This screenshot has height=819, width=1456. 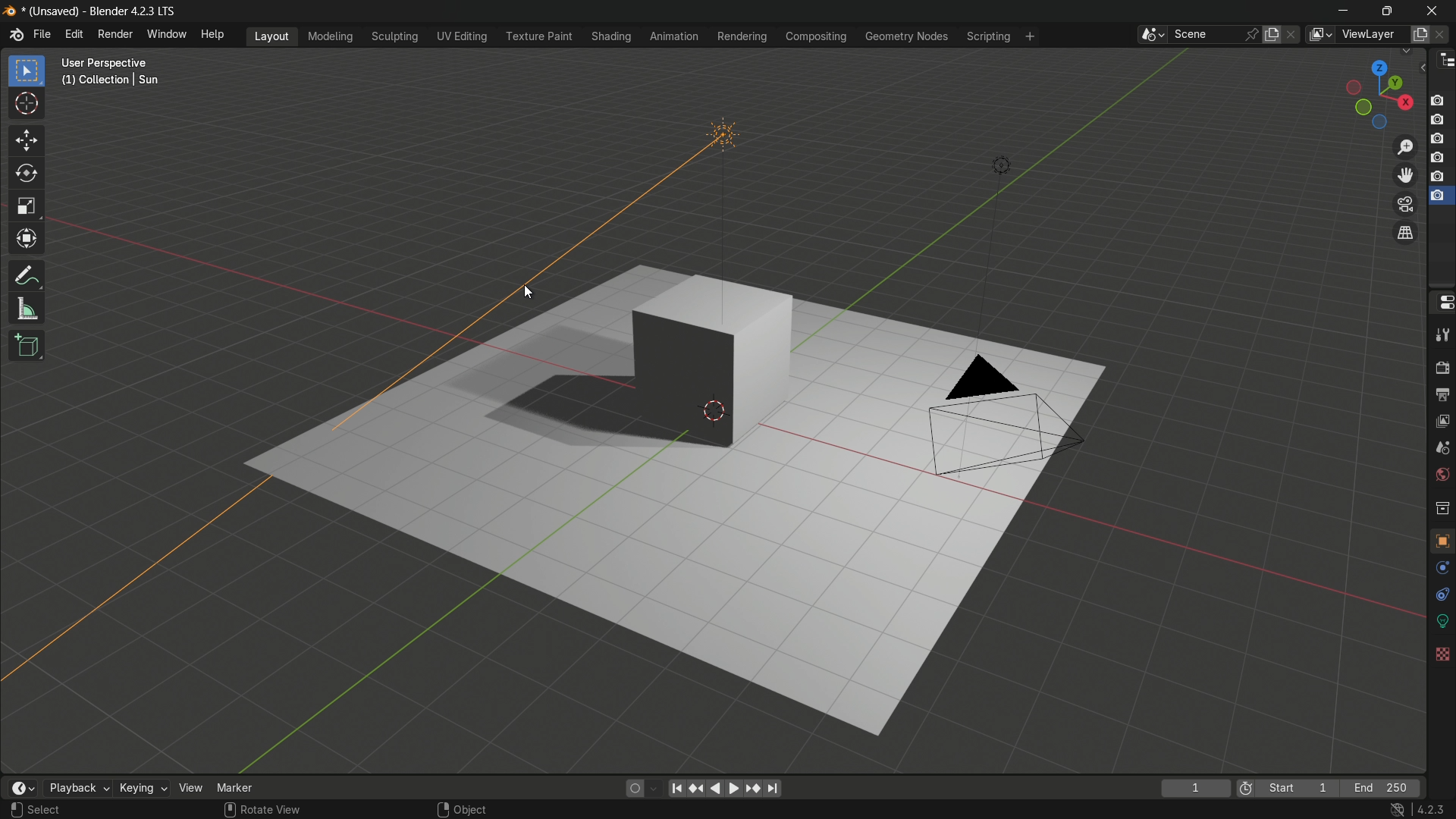 I want to click on no internet icon, so click(x=1400, y=810).